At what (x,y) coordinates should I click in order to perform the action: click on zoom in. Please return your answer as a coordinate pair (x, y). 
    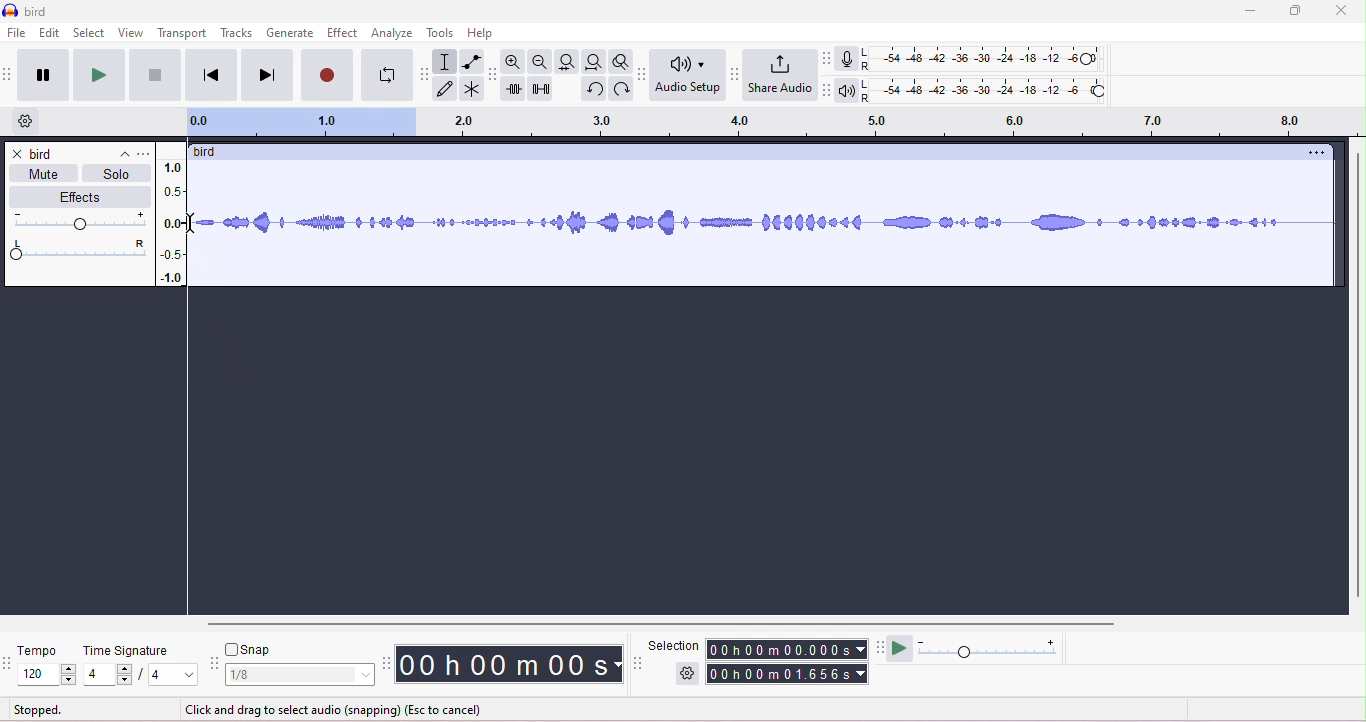
    Looking at the image, I should click on (515, 60).